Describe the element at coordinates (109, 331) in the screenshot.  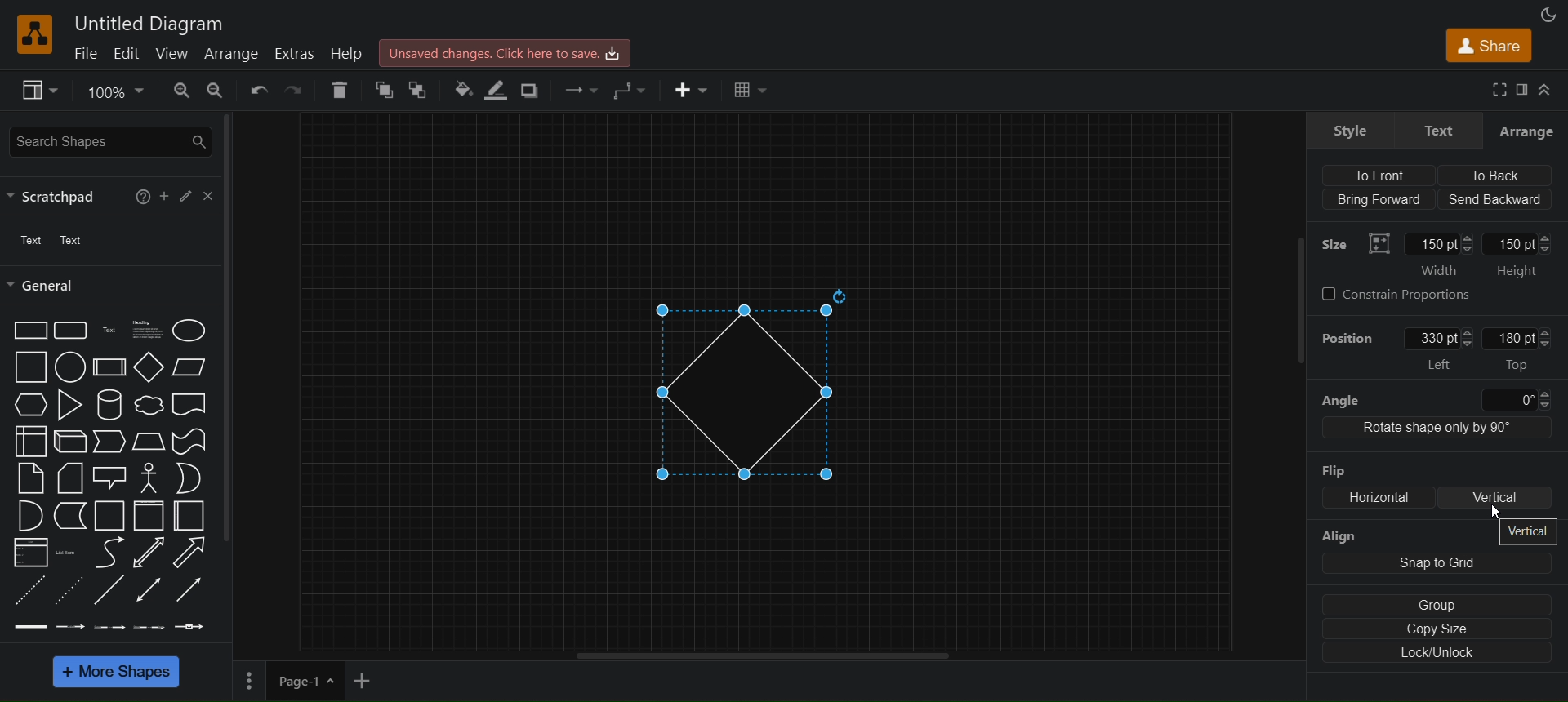
I see `text` at that location.